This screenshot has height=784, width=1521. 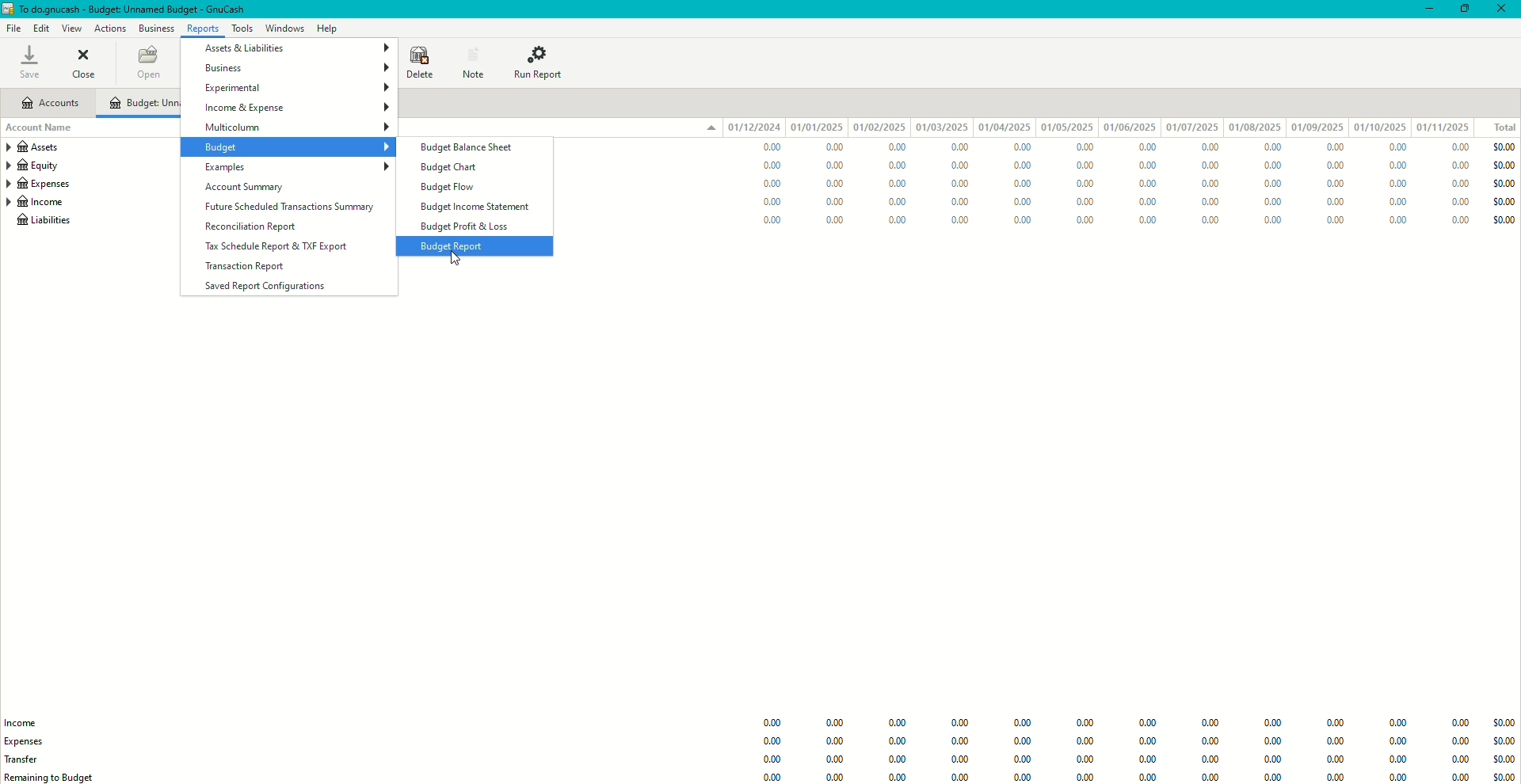 What do you see at coordinates (773, 778) in the screenshot?
I see `0.00` at bounding box center [773, 778].